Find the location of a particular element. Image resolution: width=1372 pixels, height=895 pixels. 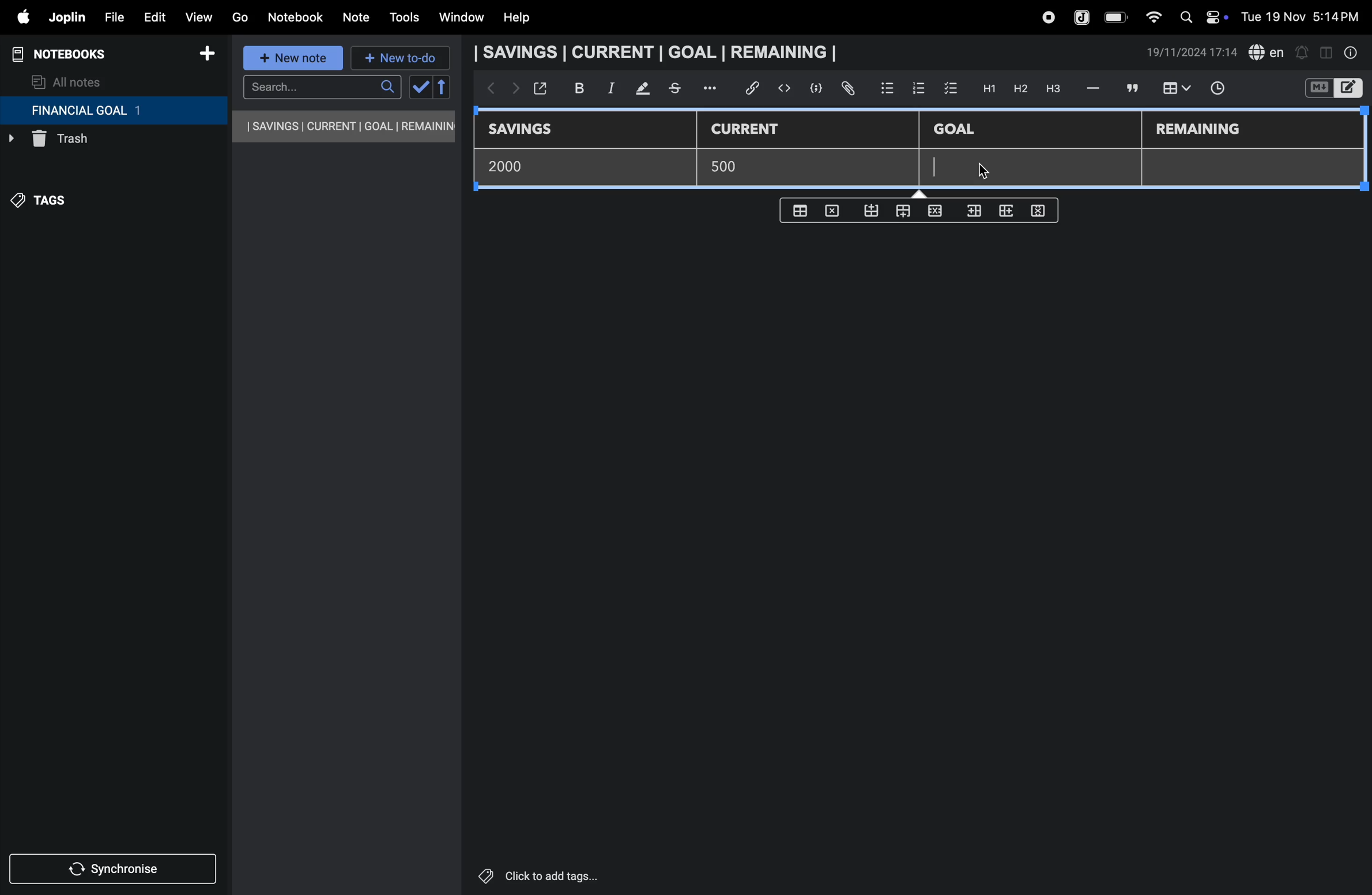

new note is located at coordinates (295, 59).